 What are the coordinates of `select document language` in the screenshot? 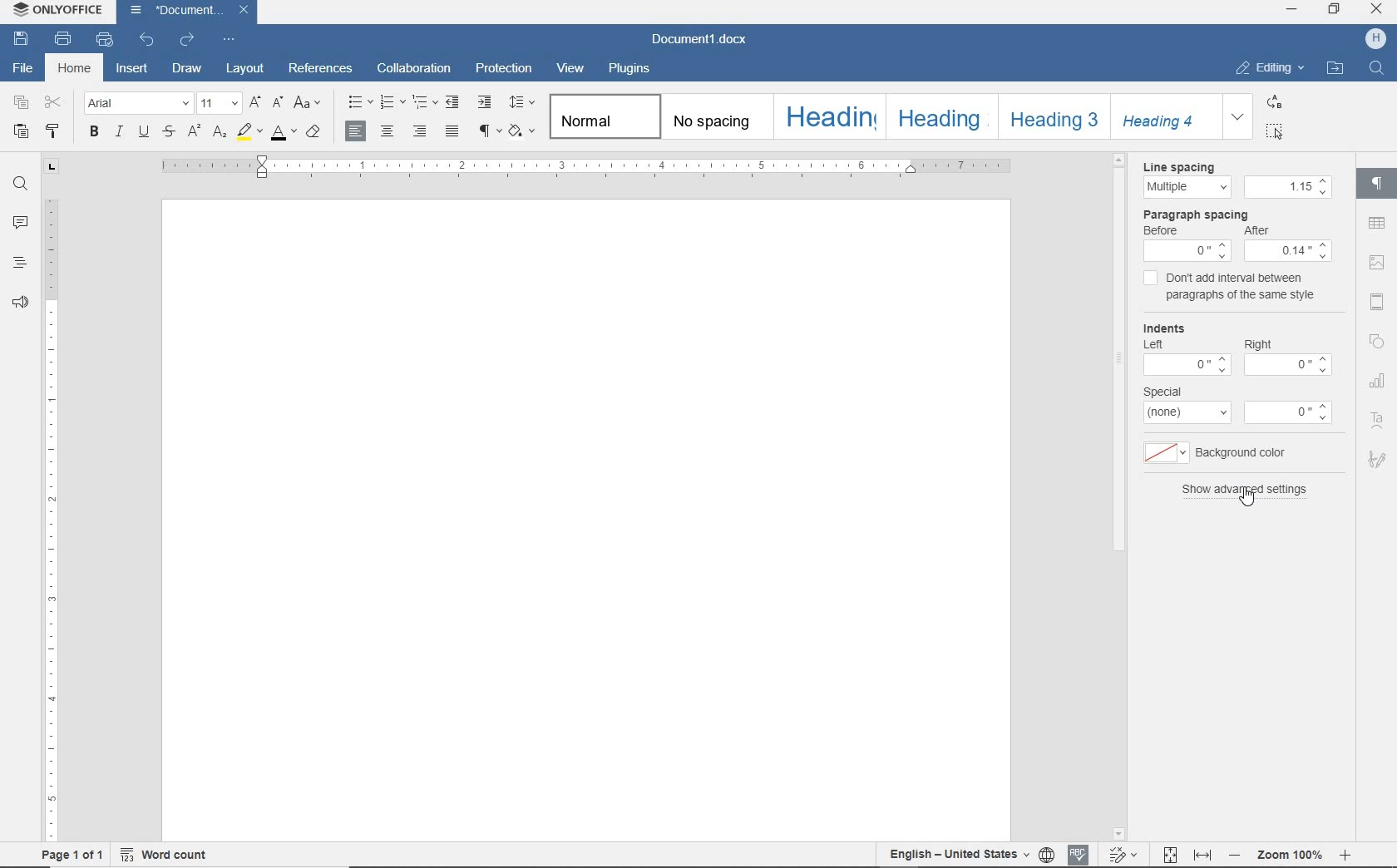 It's located at (1046, 854).